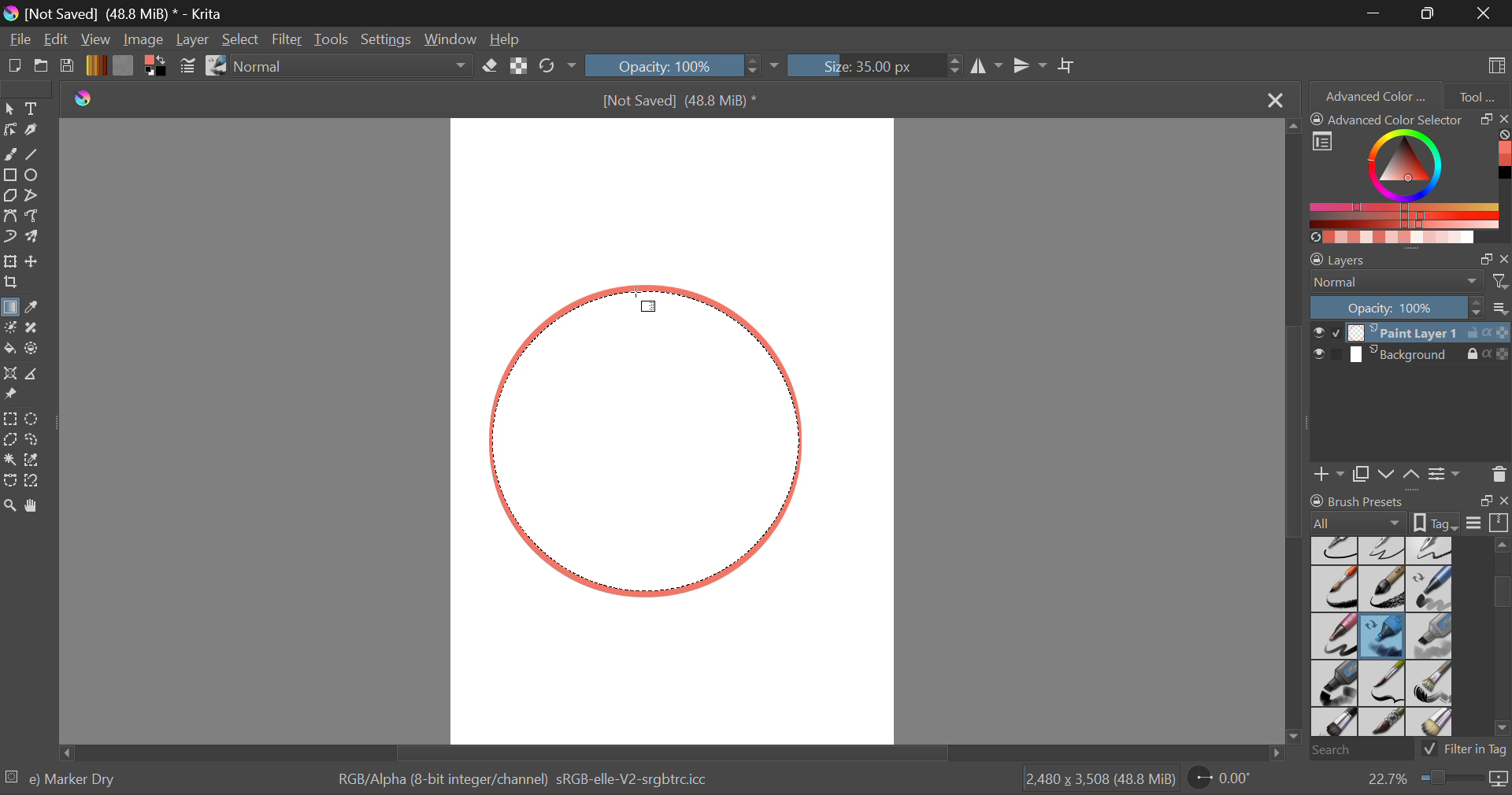  I want to click on Brush Presets Docket Tab, so click(1409, 509).